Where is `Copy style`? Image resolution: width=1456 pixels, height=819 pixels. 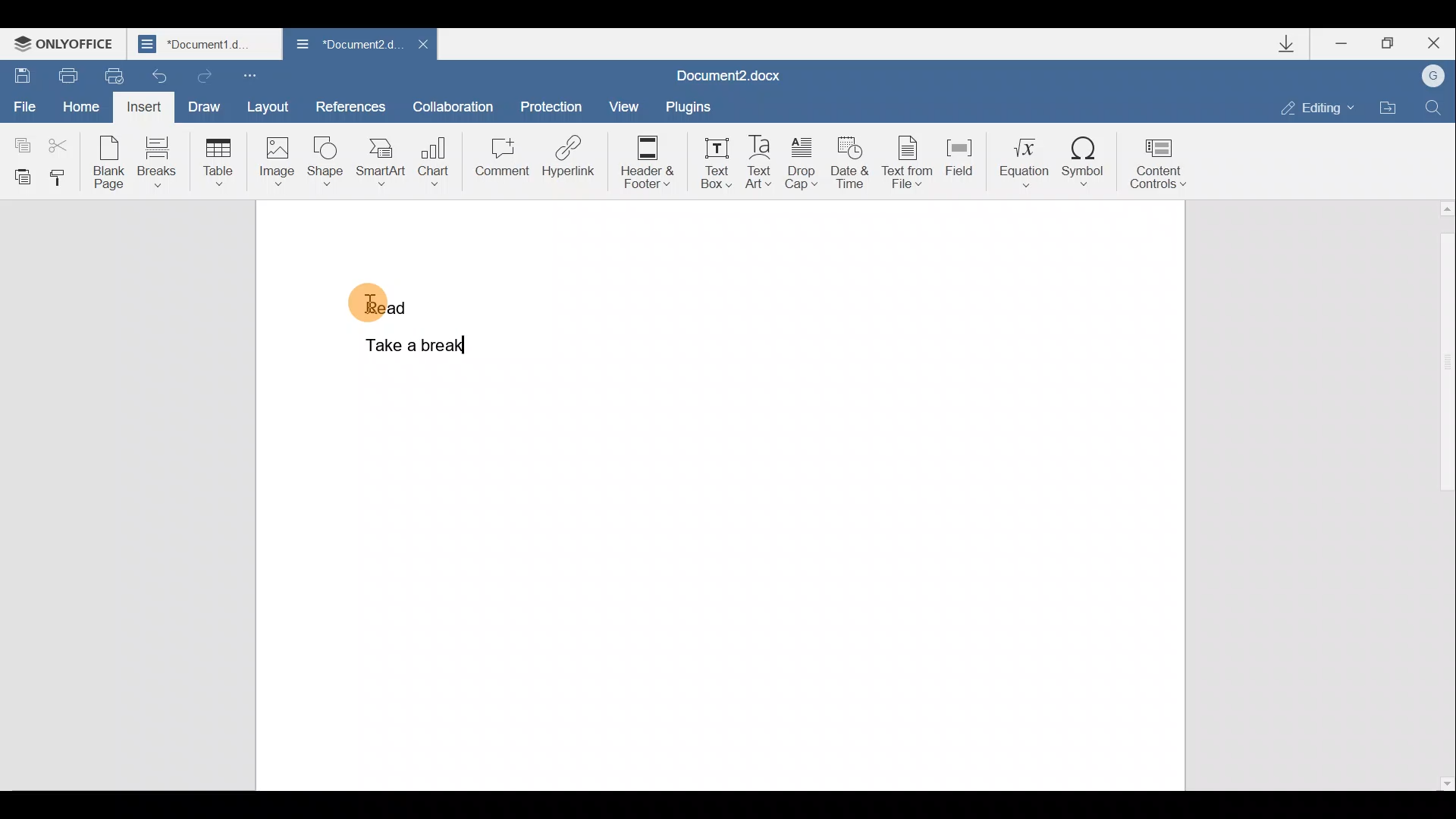 Copy style is located at coordinates (62, 178).